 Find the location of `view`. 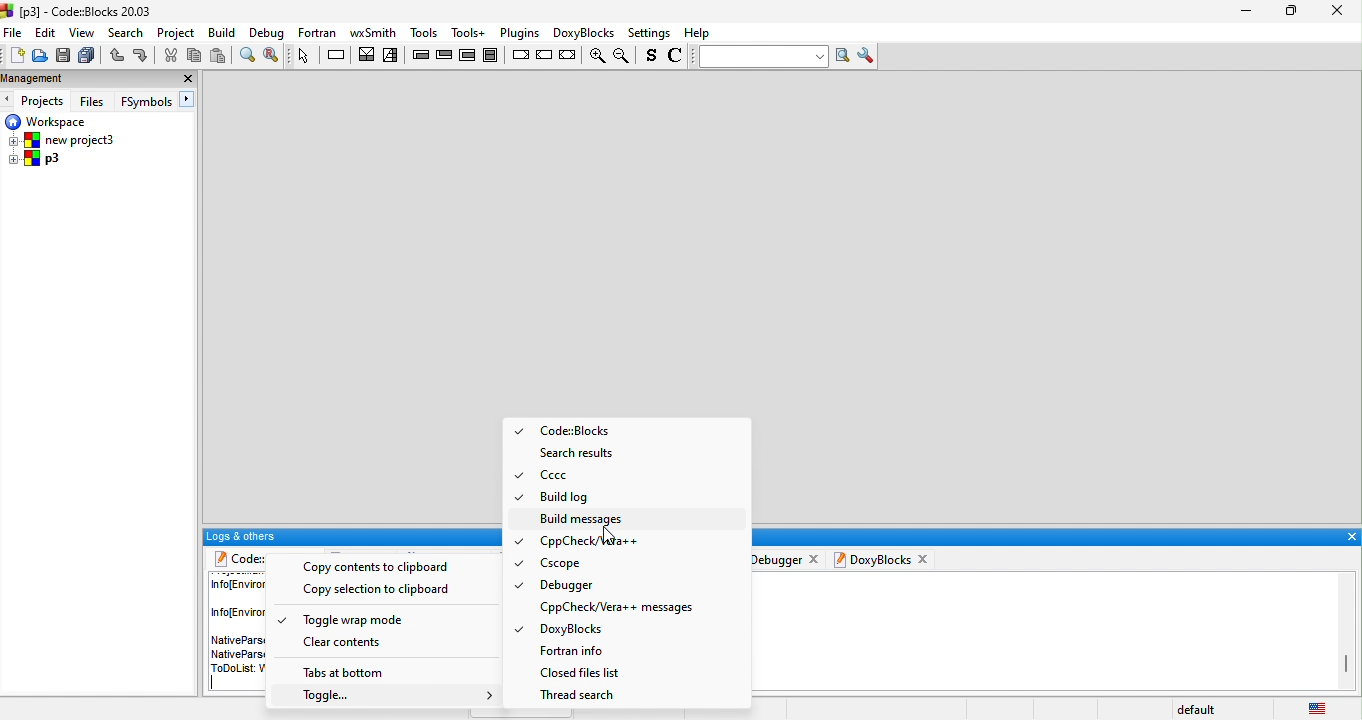

view is located at coordinates (83, 33).